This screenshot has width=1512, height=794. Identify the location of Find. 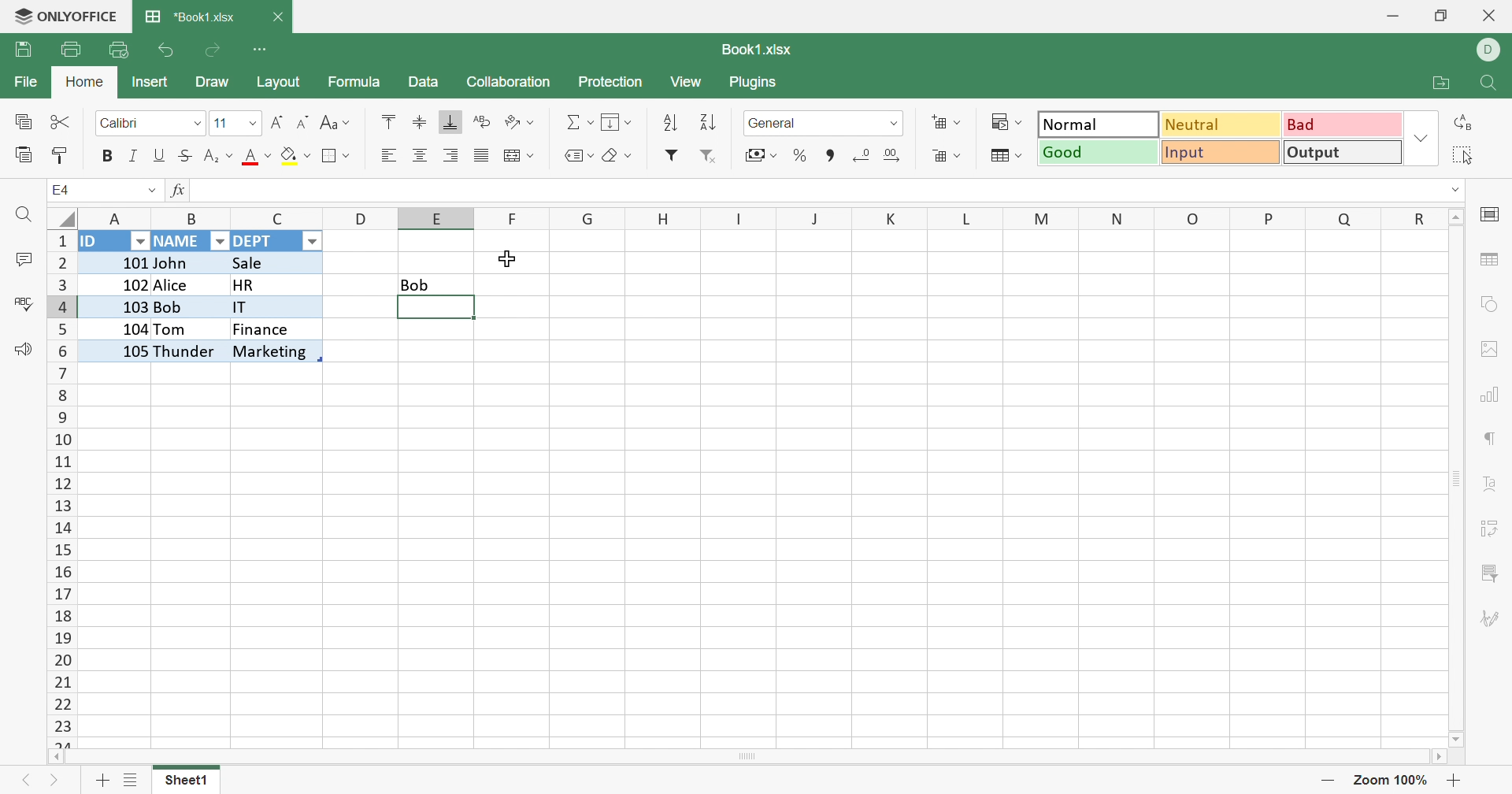
(22, 217).